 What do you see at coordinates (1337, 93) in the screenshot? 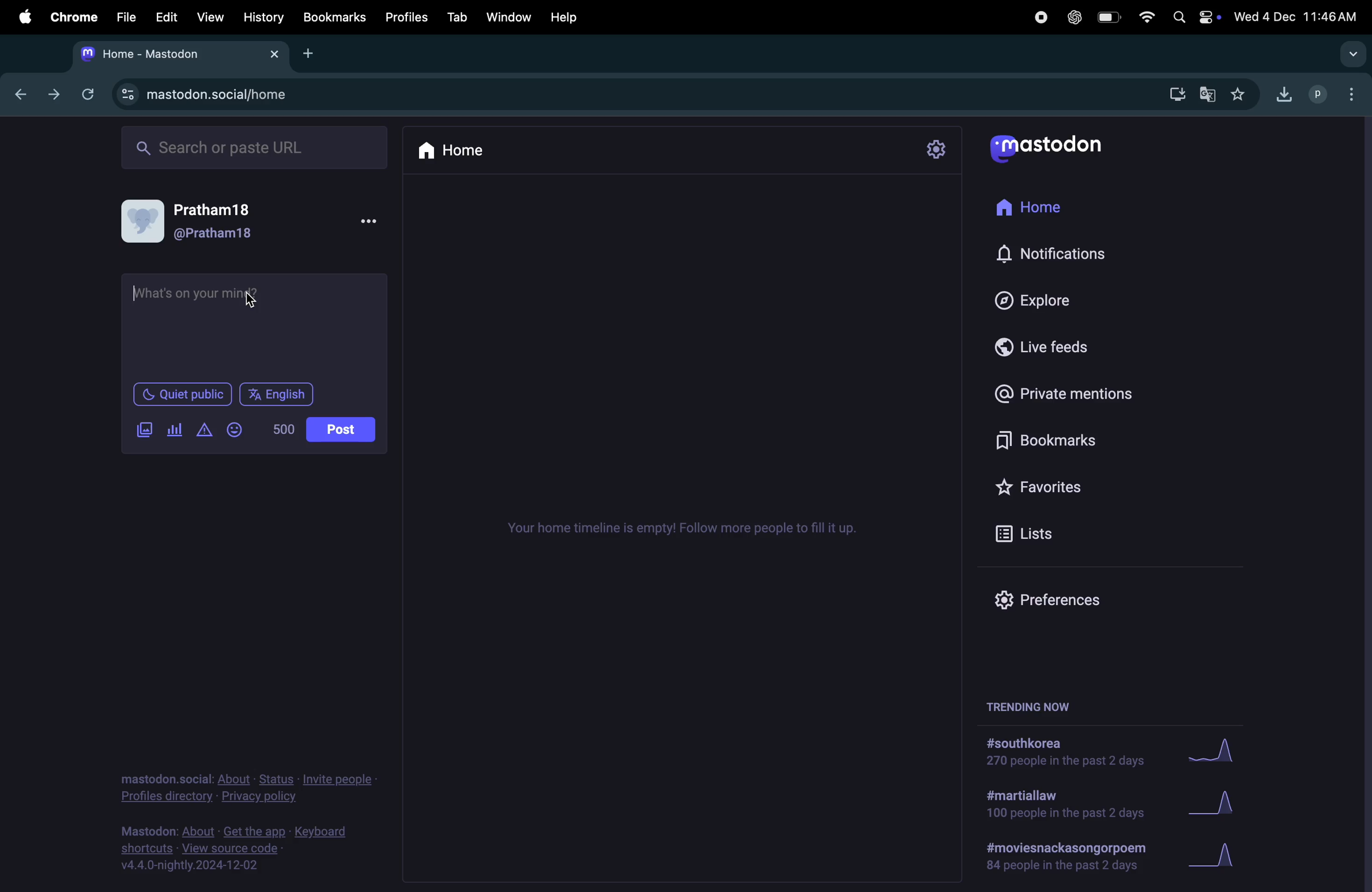
I see `profile chrome` at bounding box center [1337, 93].